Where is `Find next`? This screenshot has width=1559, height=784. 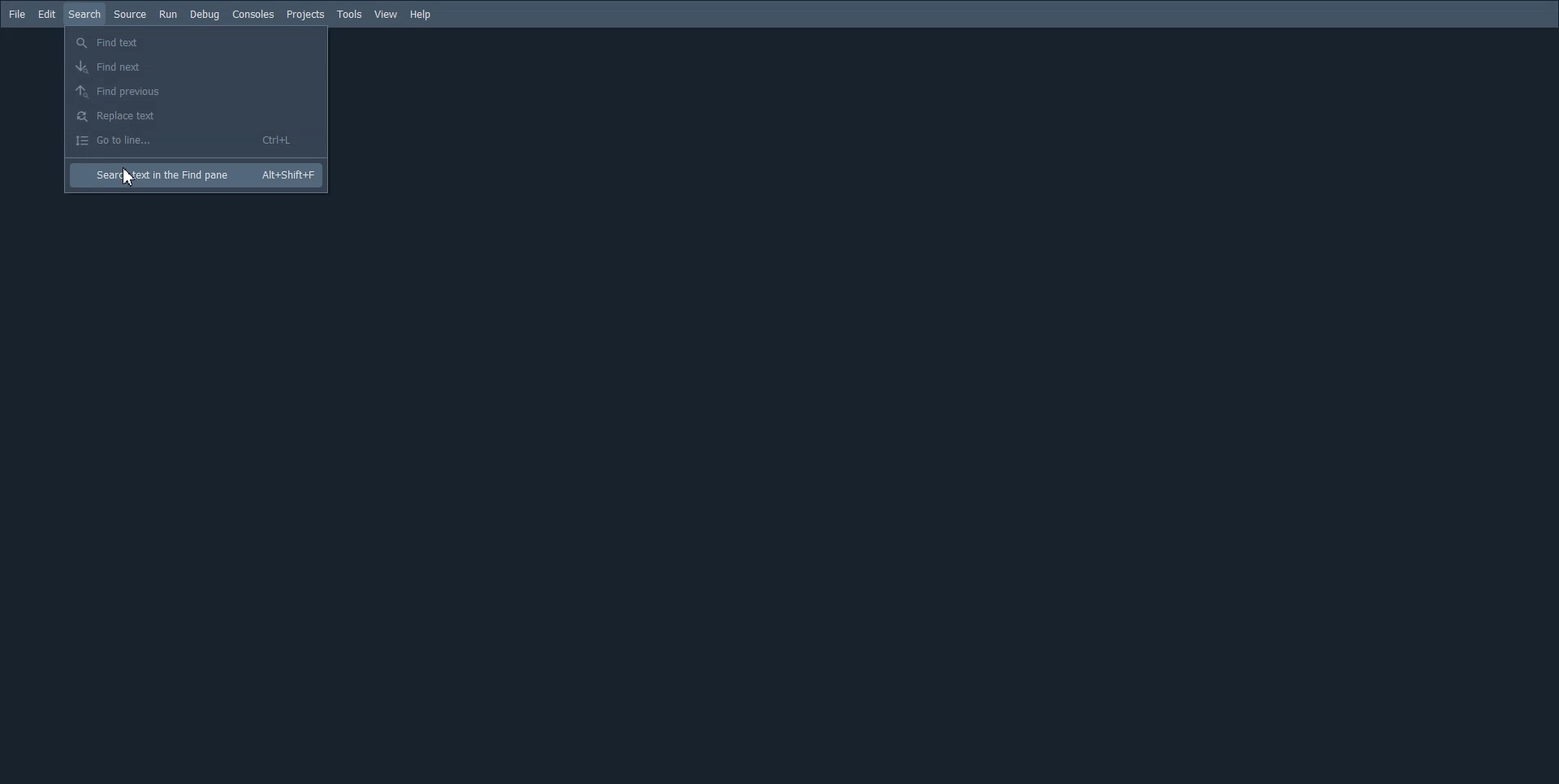 Find next is located at coordinates (188, 67).